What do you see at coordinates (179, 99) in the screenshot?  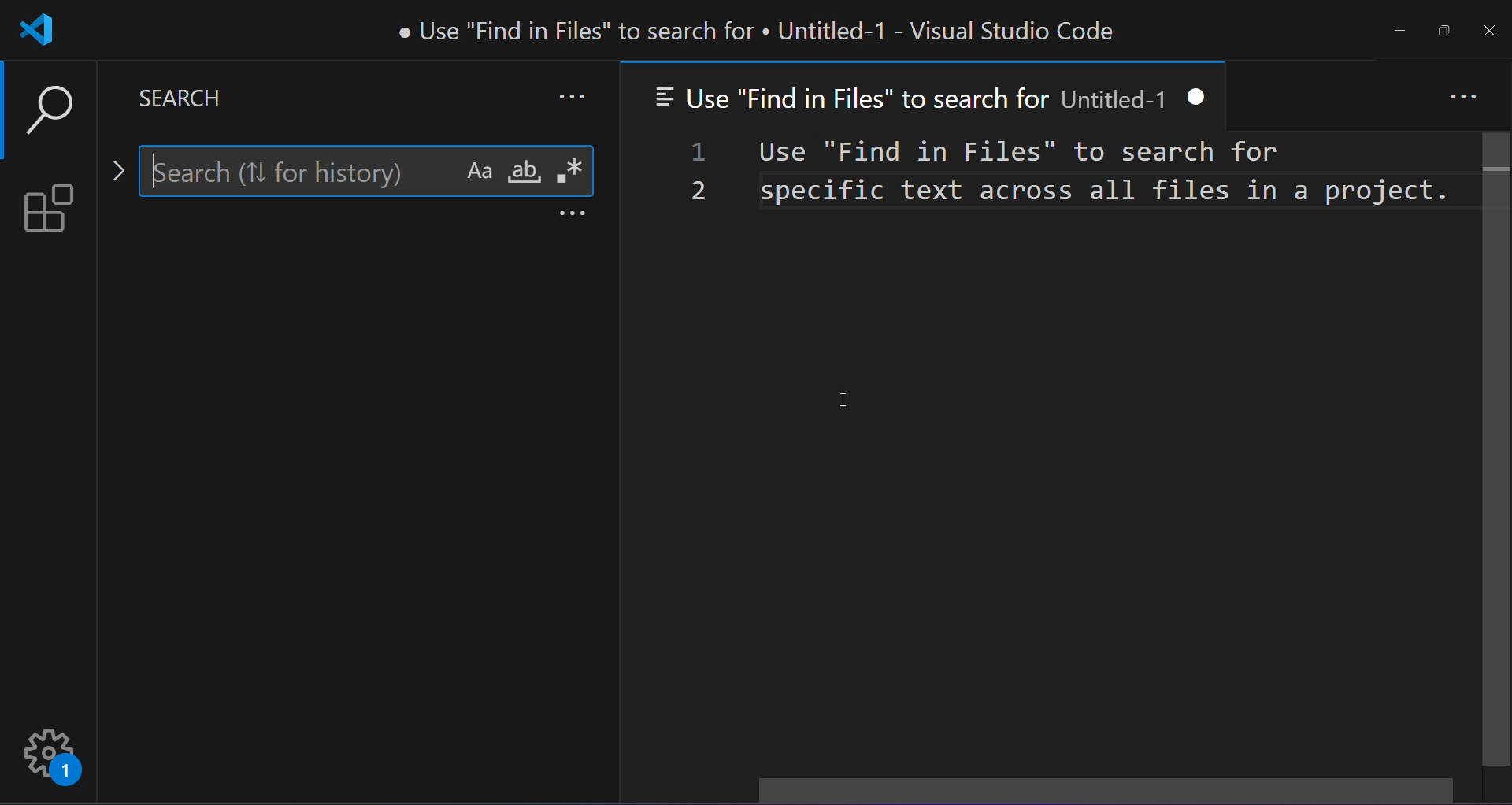 I see `search` at bounding box center [179, 99].